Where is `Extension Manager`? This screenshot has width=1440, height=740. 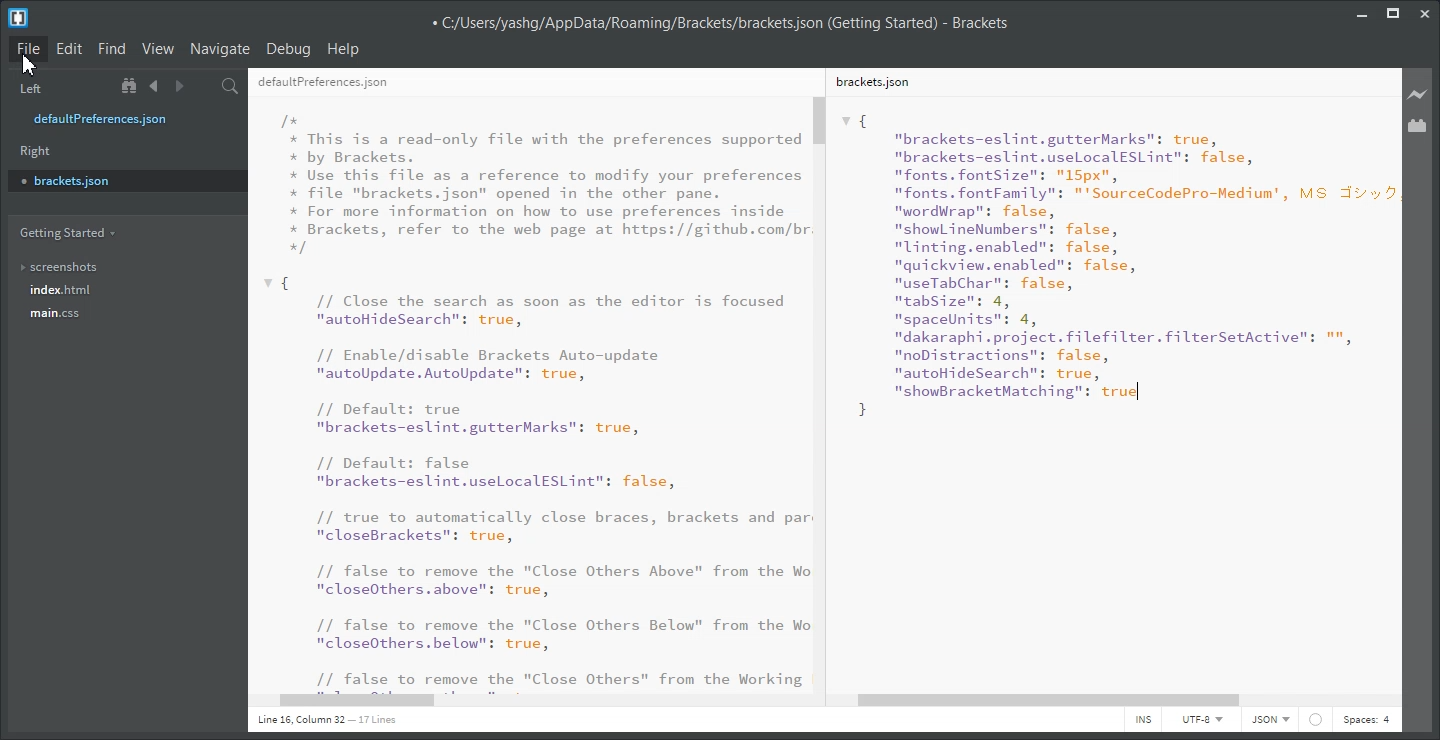
Extension Manager is located at coordinates (1418, 125).